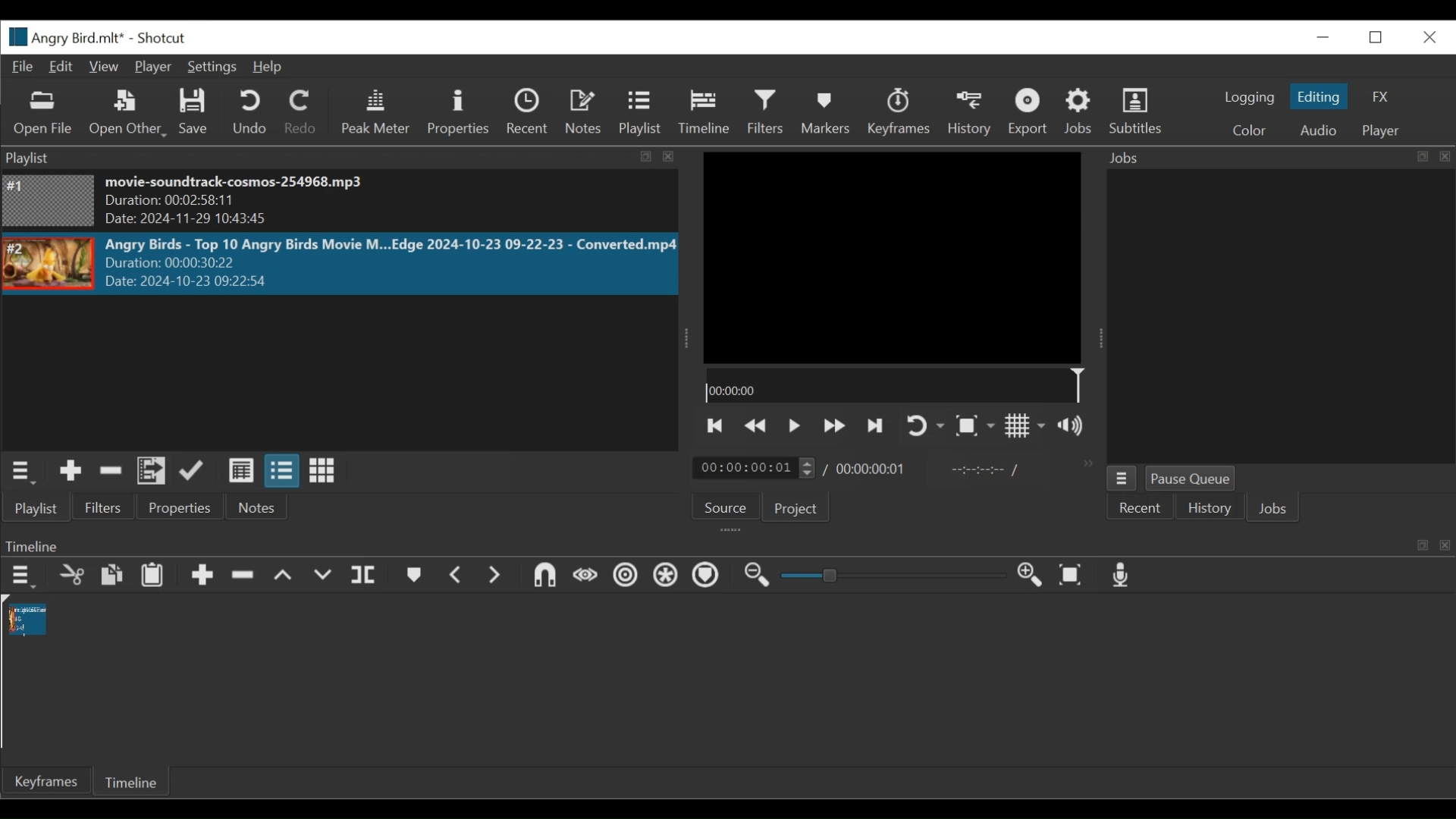 The height and width of the screenshot is (819, 1456). What do you see at coordinates (363, 576) in the screenshot?
I see `Split Playhead` at bounding box center [363, 576].